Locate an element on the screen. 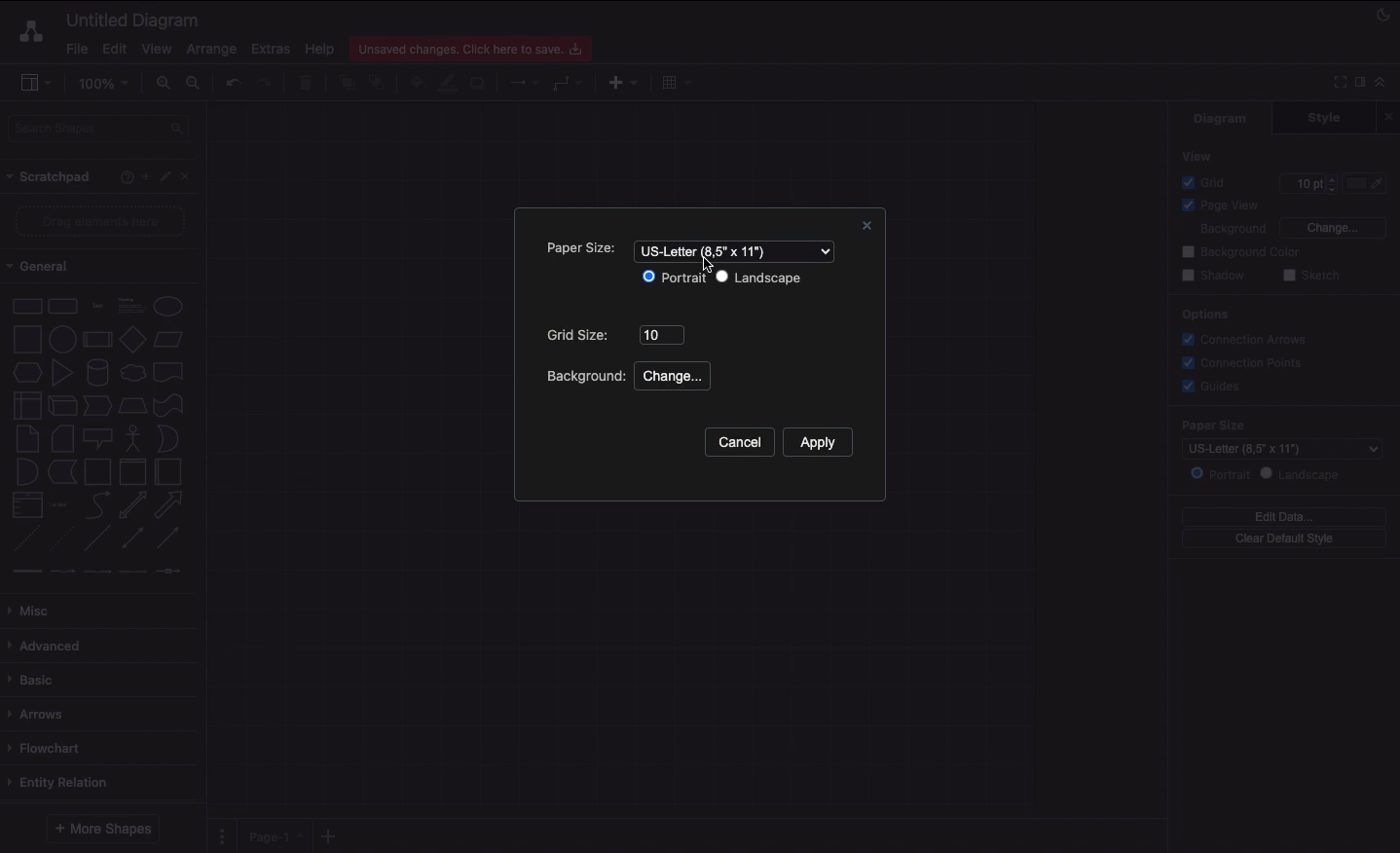 This screenshot has width=1400, height=853. Parallelogram is located at coordinates (169, 340).